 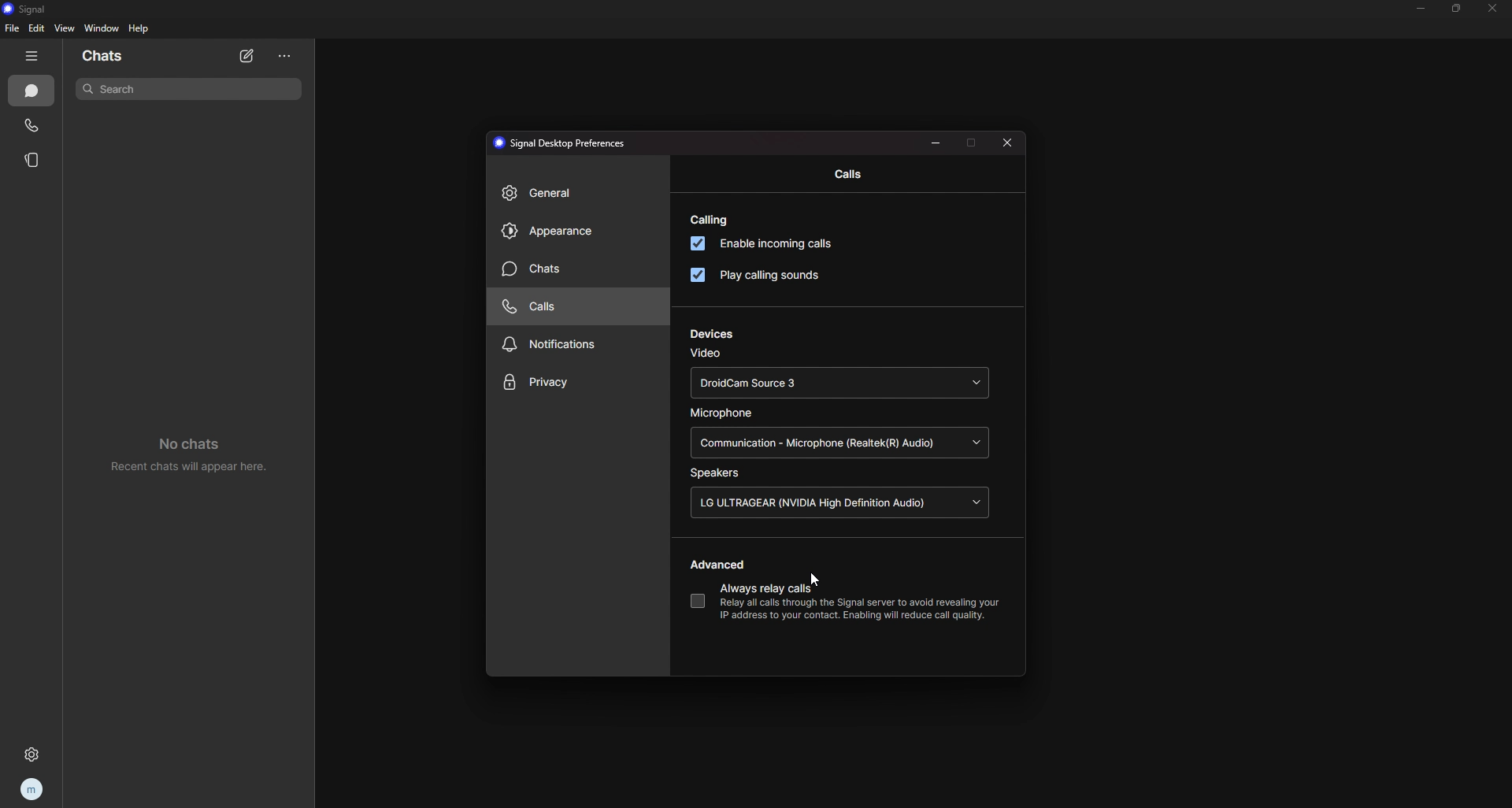 What do you see at coordinates (576, 232) in the screenshot?
I see `appearance` at bounding box center [576, 232].